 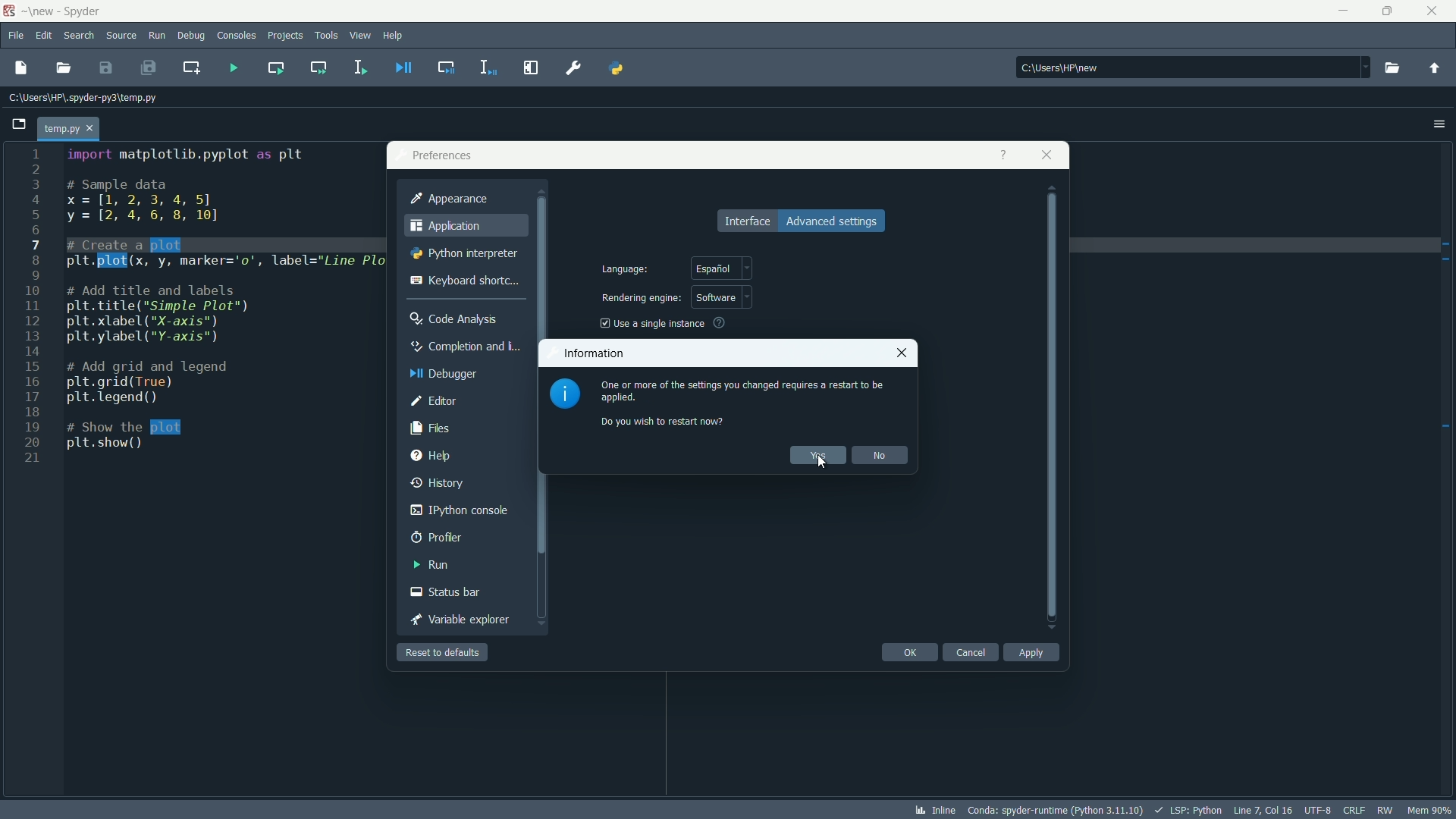 I want to click on file tab, so click(x=69, y=128).